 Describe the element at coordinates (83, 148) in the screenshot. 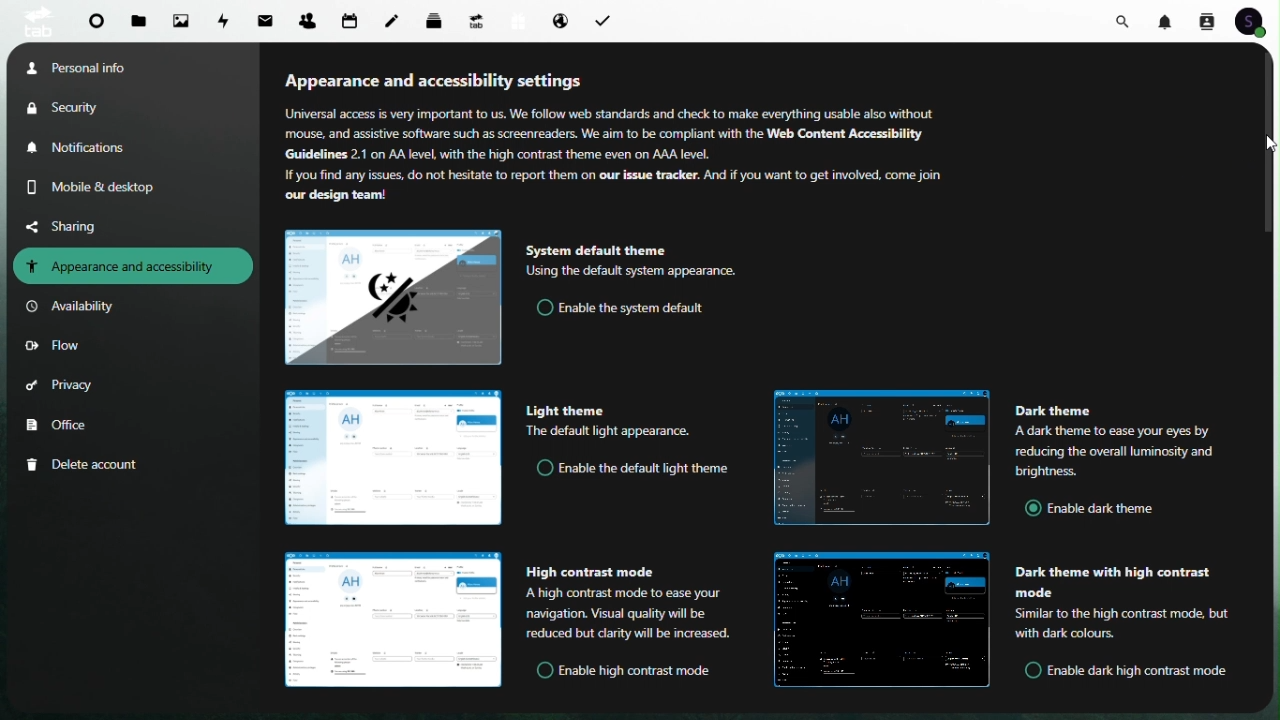

I see `Notifications` at that location.